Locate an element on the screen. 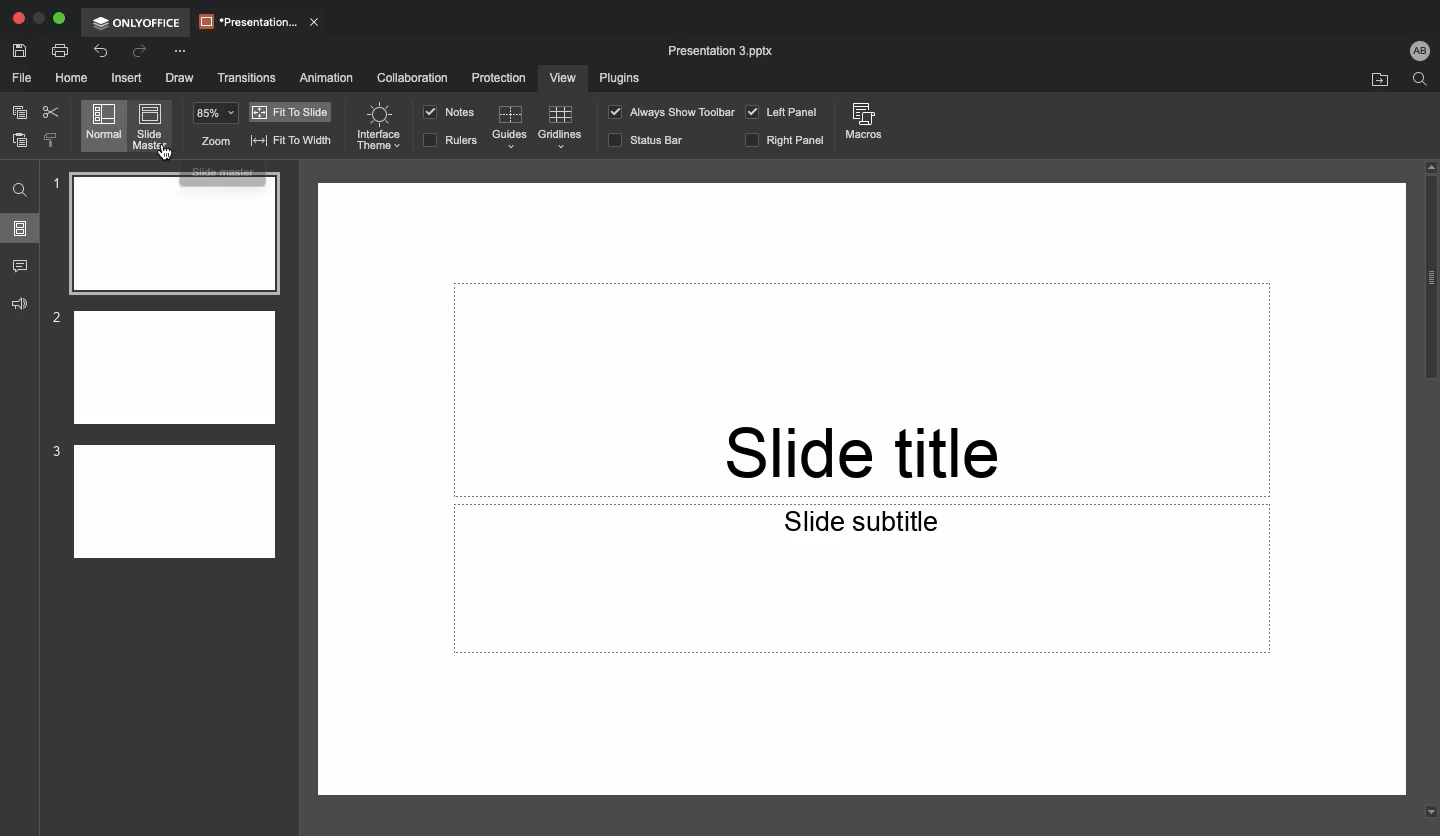 This screenshot has width=1440, height=836. Expand is located at coordinates (59, 19).